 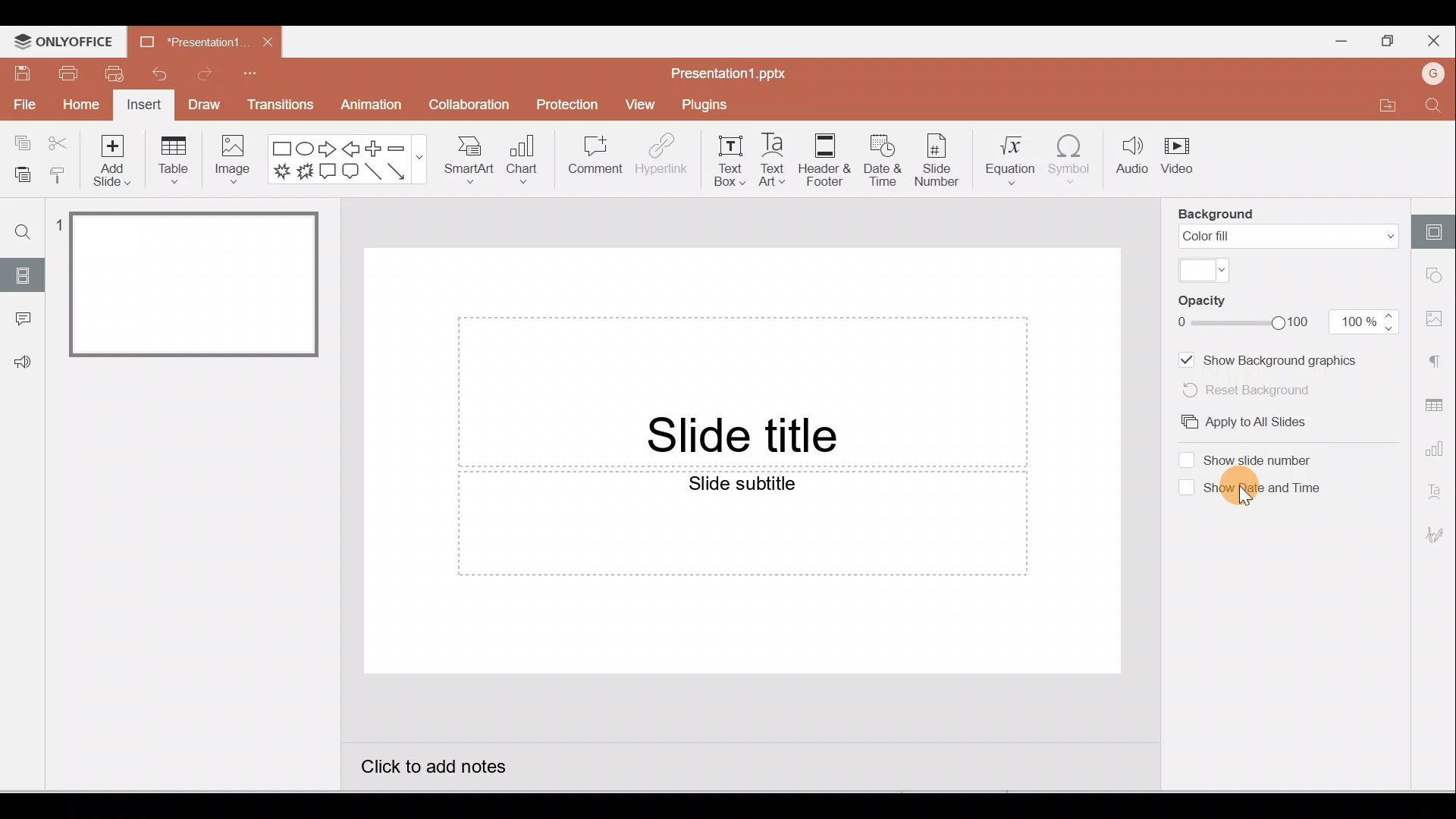 What do you see at coordinates (1265, 459) in the screenshot?
I see `Show slide number` at bounding box center [1265, 459].